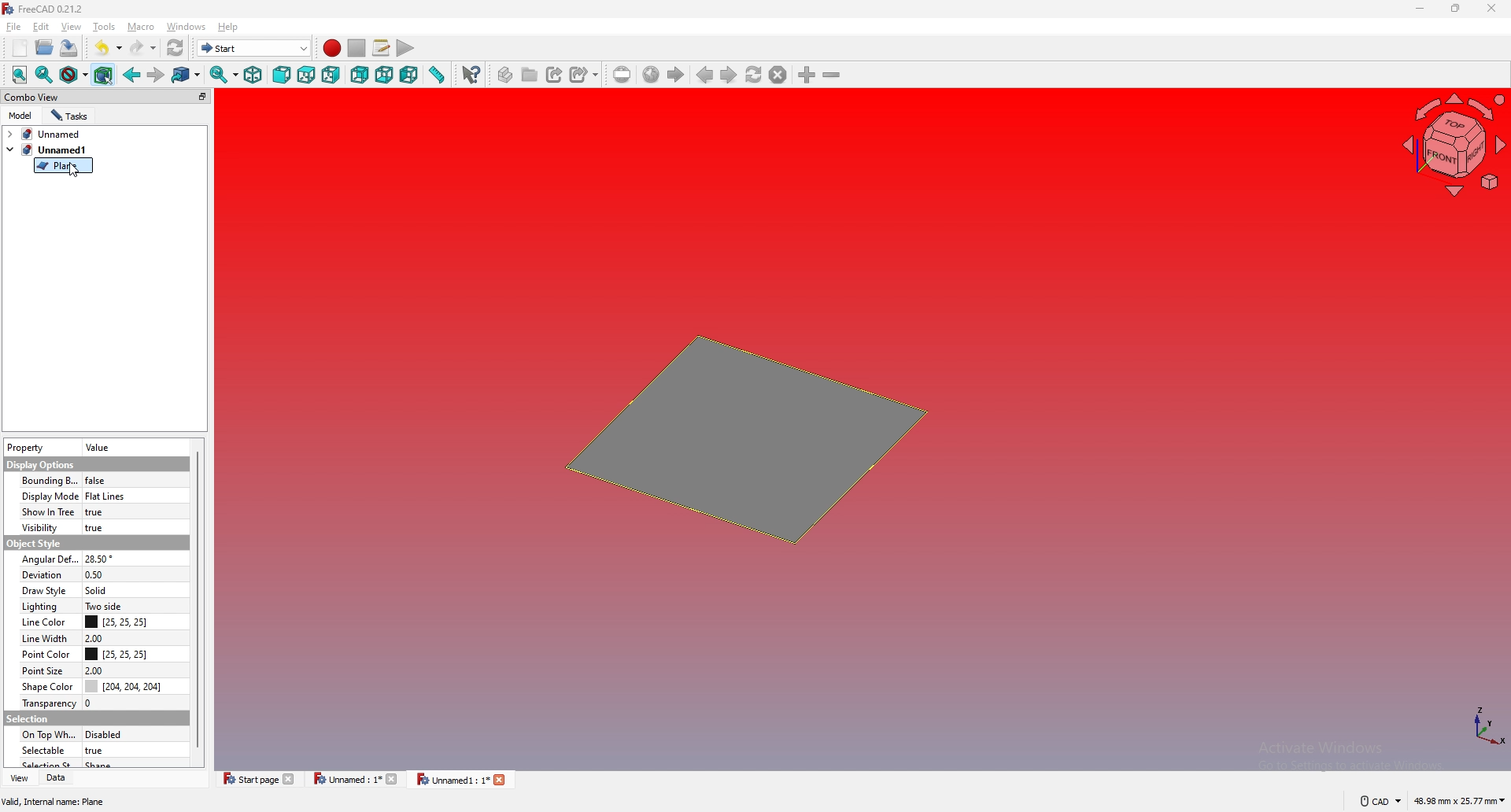 This screenshot has width=1511, height=812. I want to click on model, so click(21, 116).